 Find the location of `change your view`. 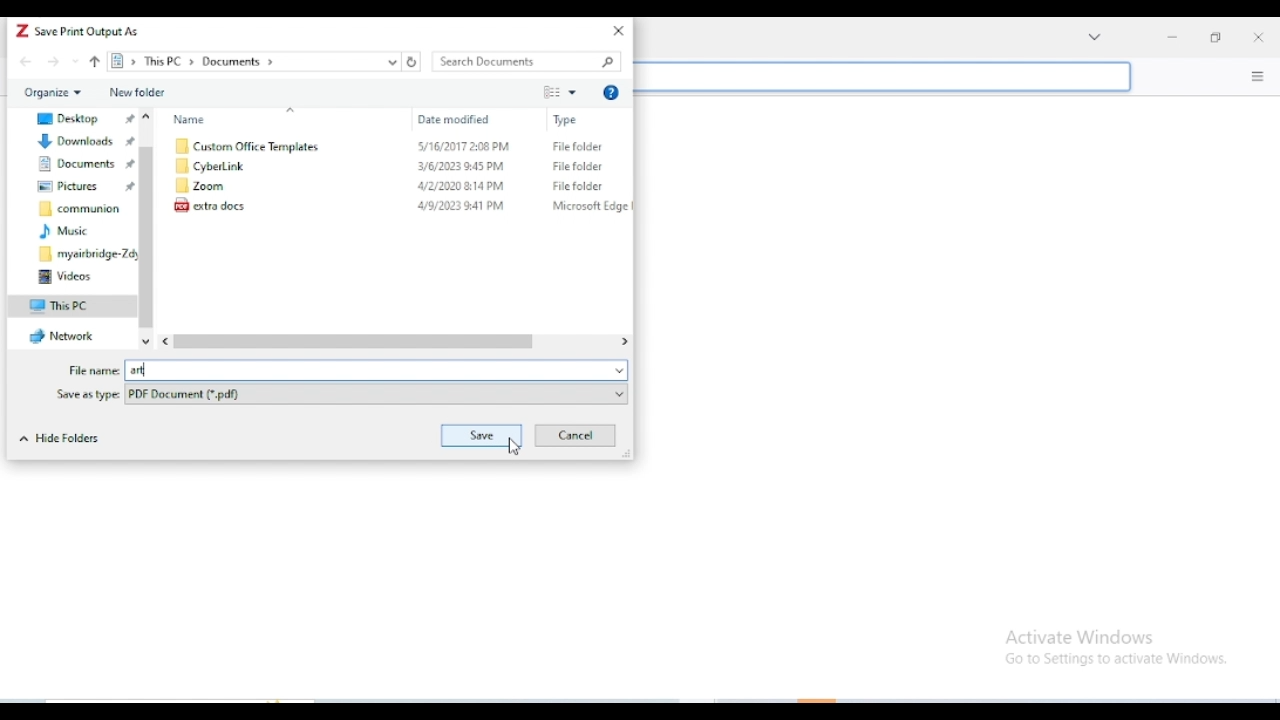

change your view is located at coordinates (561, 92).